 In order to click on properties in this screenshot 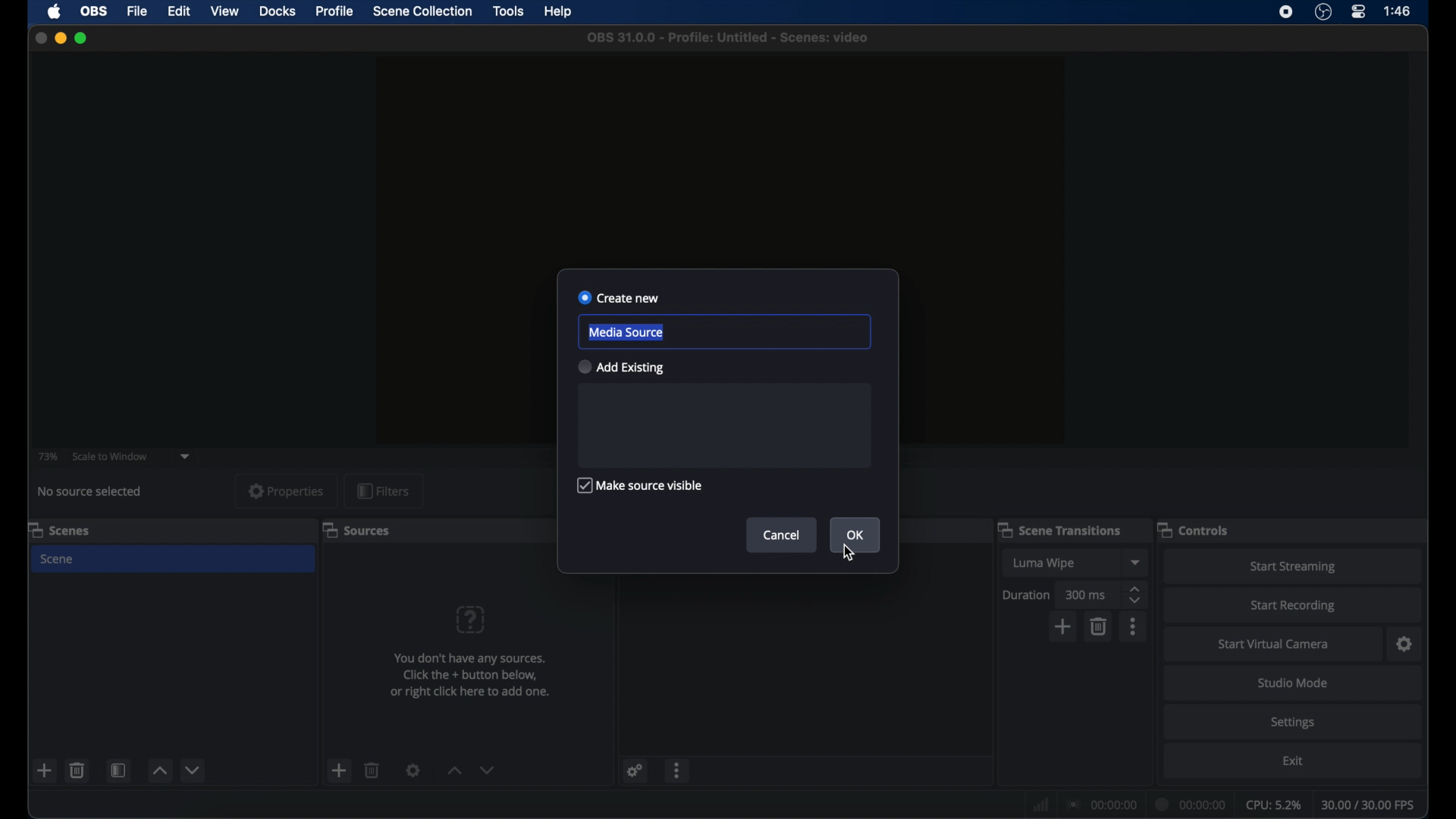, I will do `click(287, 490)`.